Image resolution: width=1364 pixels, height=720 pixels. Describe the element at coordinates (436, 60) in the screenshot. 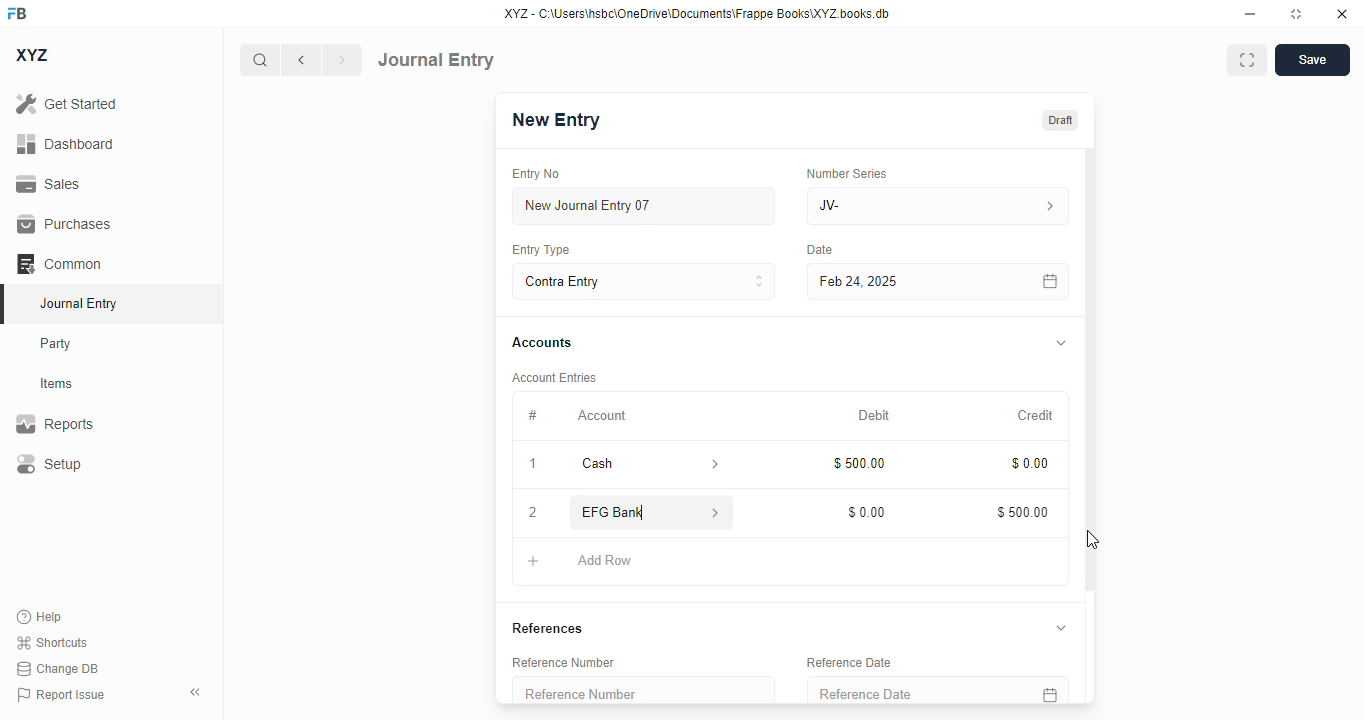

I see `journal entry` at that location.